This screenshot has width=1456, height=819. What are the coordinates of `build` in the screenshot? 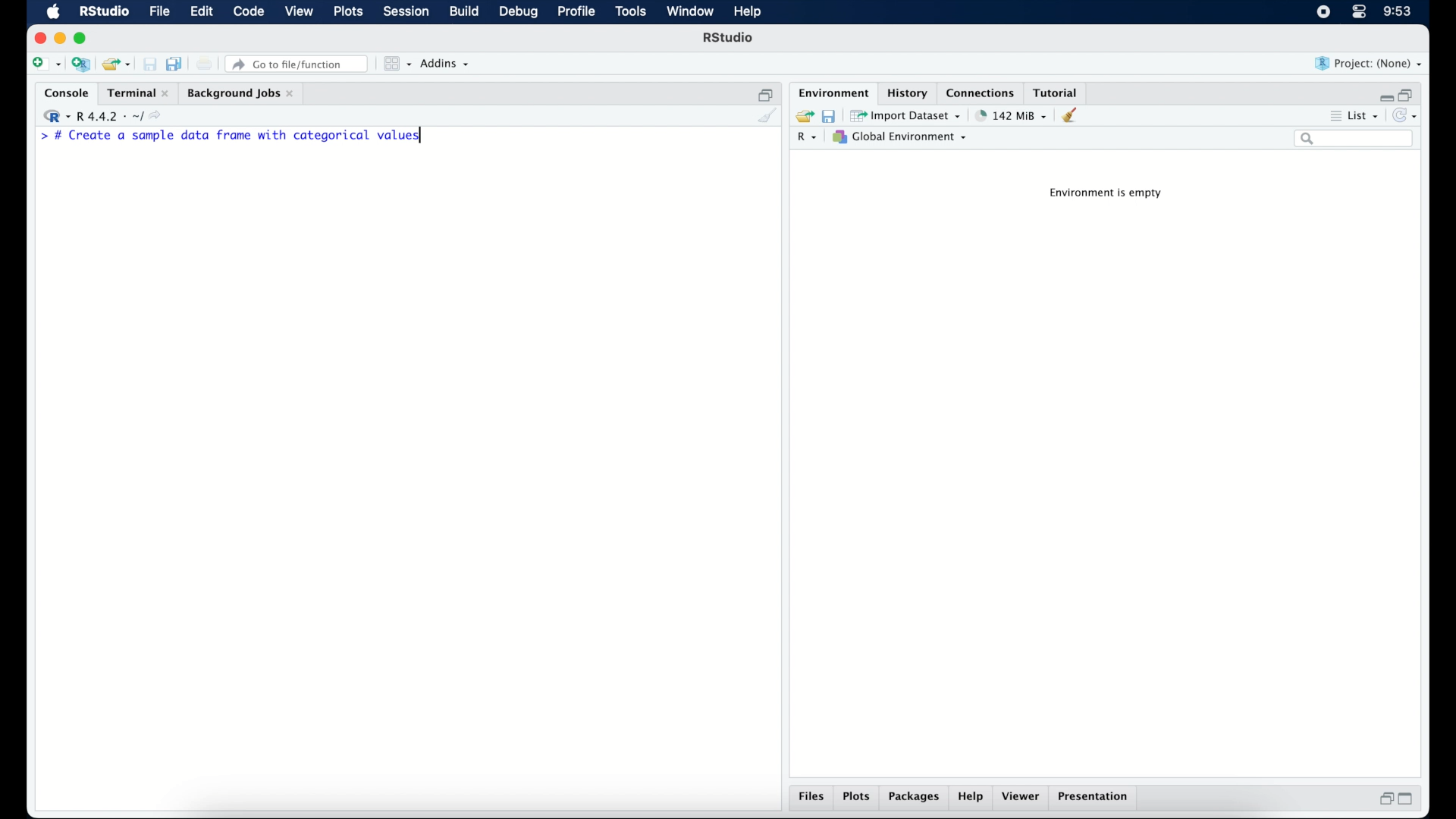 It's located at (465, 12).